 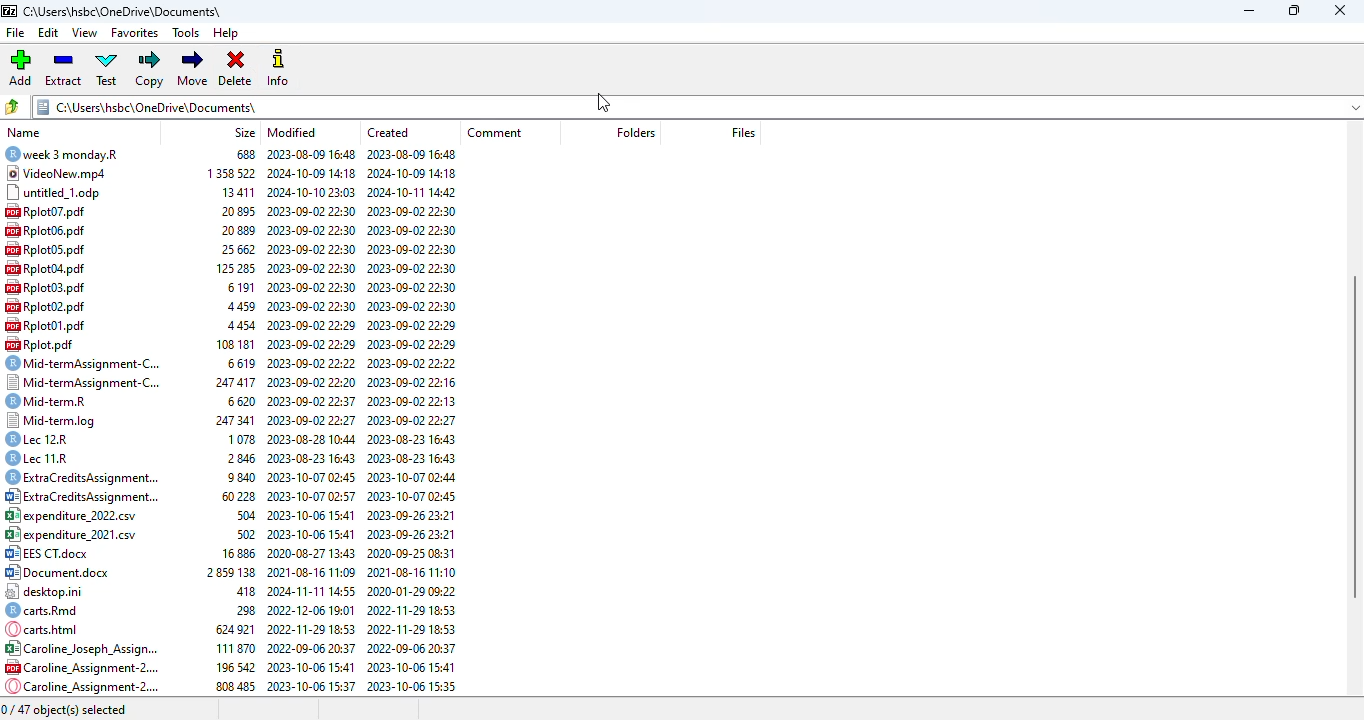 What do you see at coordinates (56, 192) in the screenshot?
I see `untitled_1.odp` at bounding box center [56, 192].